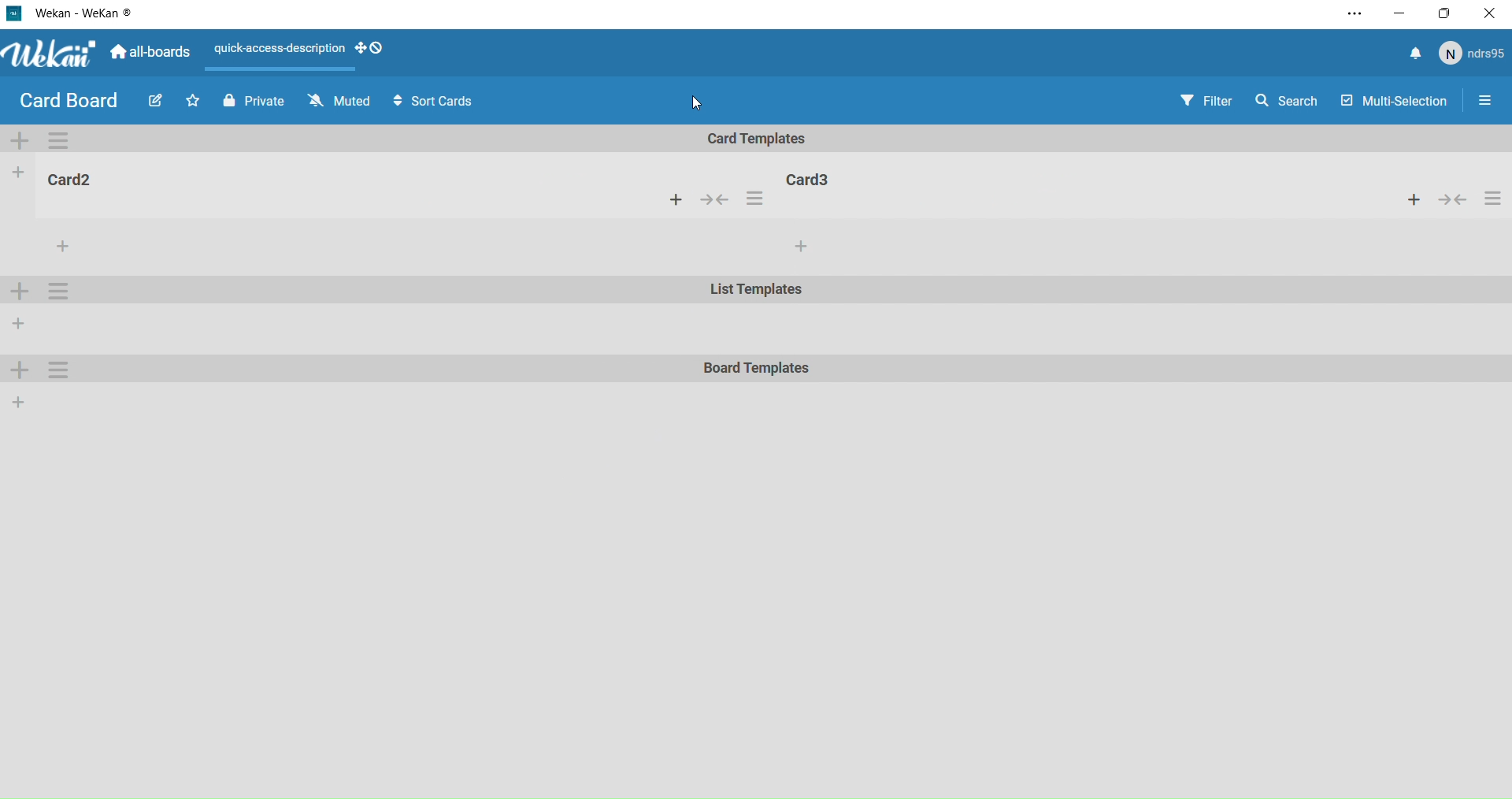  What do you see at coordinates (58, 243) in the screenshot?
I see `more` at bounding box center [58, 243].